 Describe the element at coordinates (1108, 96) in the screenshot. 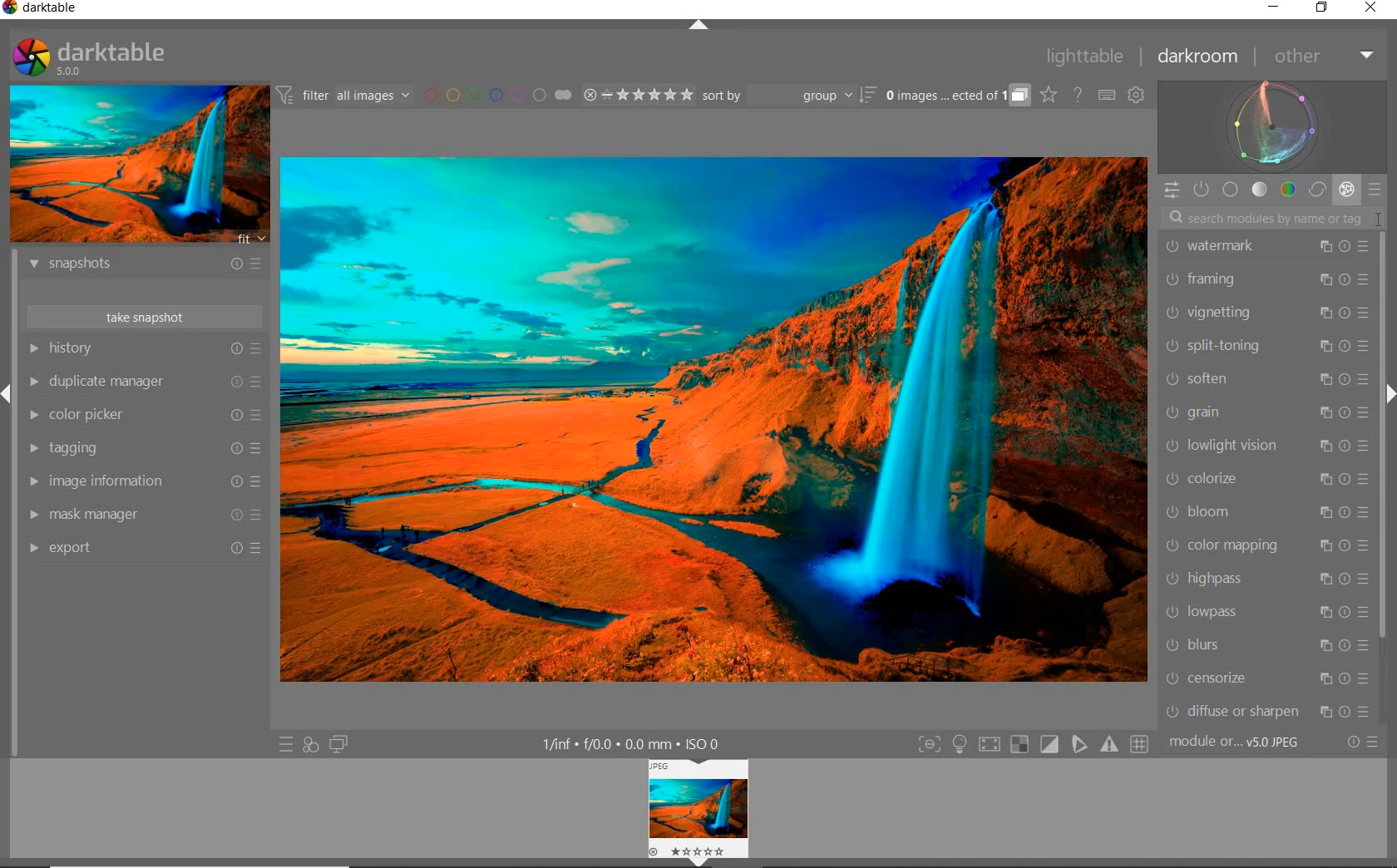

I see `SET KEYBOARD SHORTCUTS` at that location.